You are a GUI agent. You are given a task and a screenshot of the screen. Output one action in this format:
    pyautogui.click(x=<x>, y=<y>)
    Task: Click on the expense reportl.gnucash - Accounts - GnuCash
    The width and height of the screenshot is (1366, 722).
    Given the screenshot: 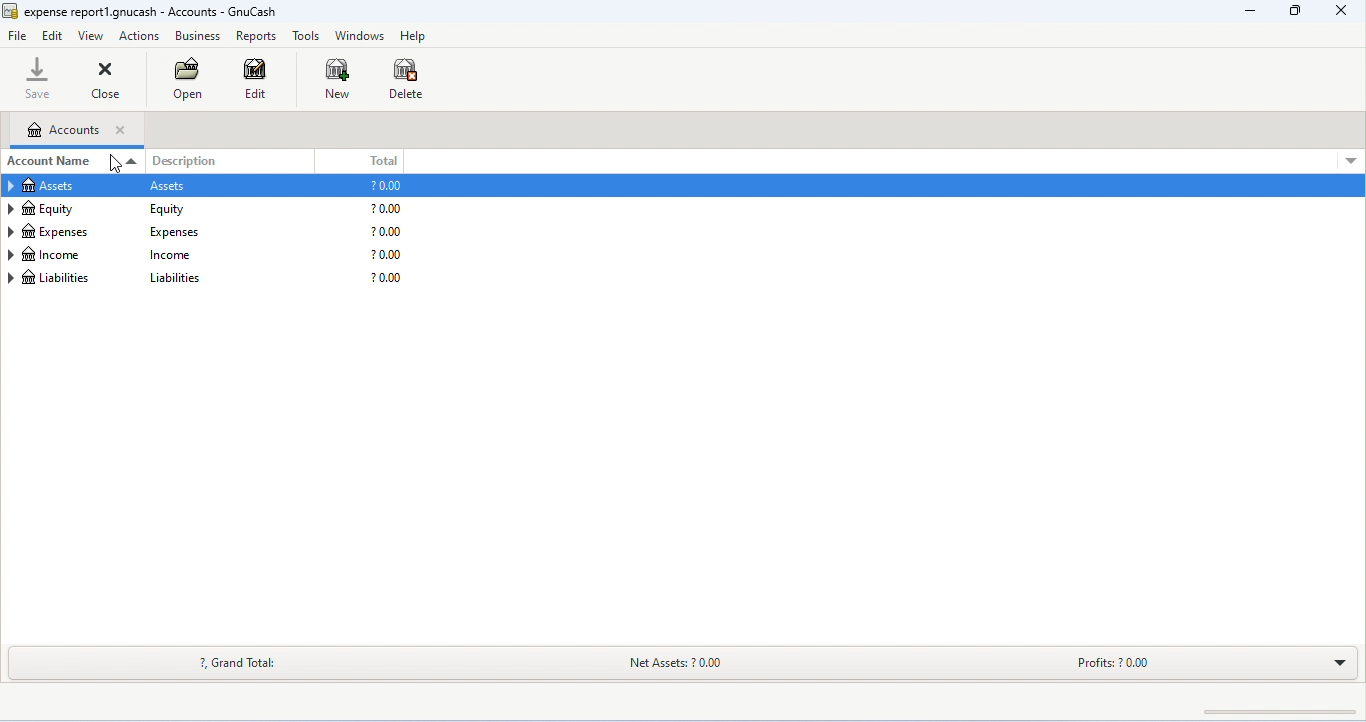 What is the action you would take?
    pyautogui.click(x=169, y=13)
    